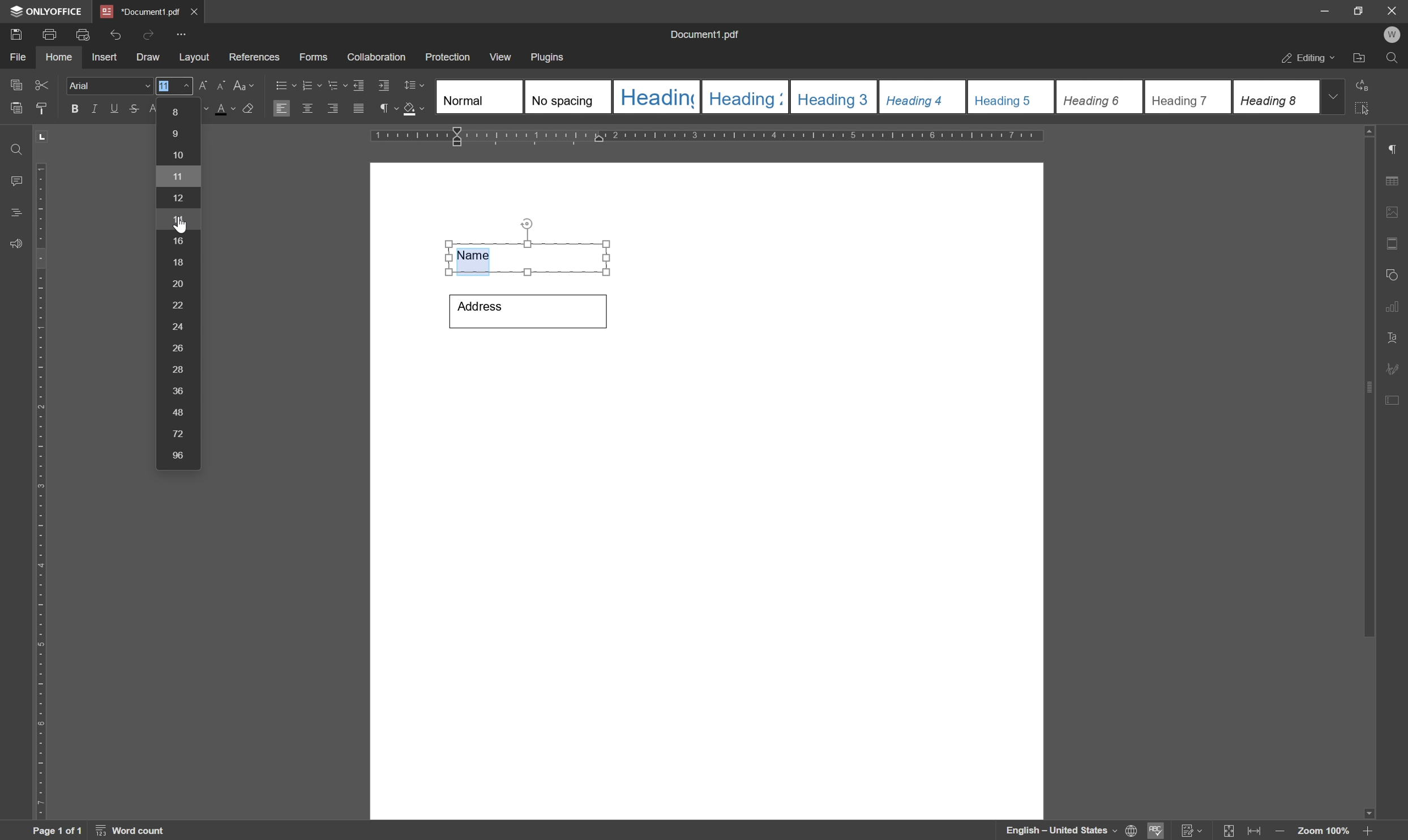 Image resolution: width=1408 pixels, height=840 pixels. Describe the element at coordinates (1360, 59) in the screenshot. I see `open file location` at that location.